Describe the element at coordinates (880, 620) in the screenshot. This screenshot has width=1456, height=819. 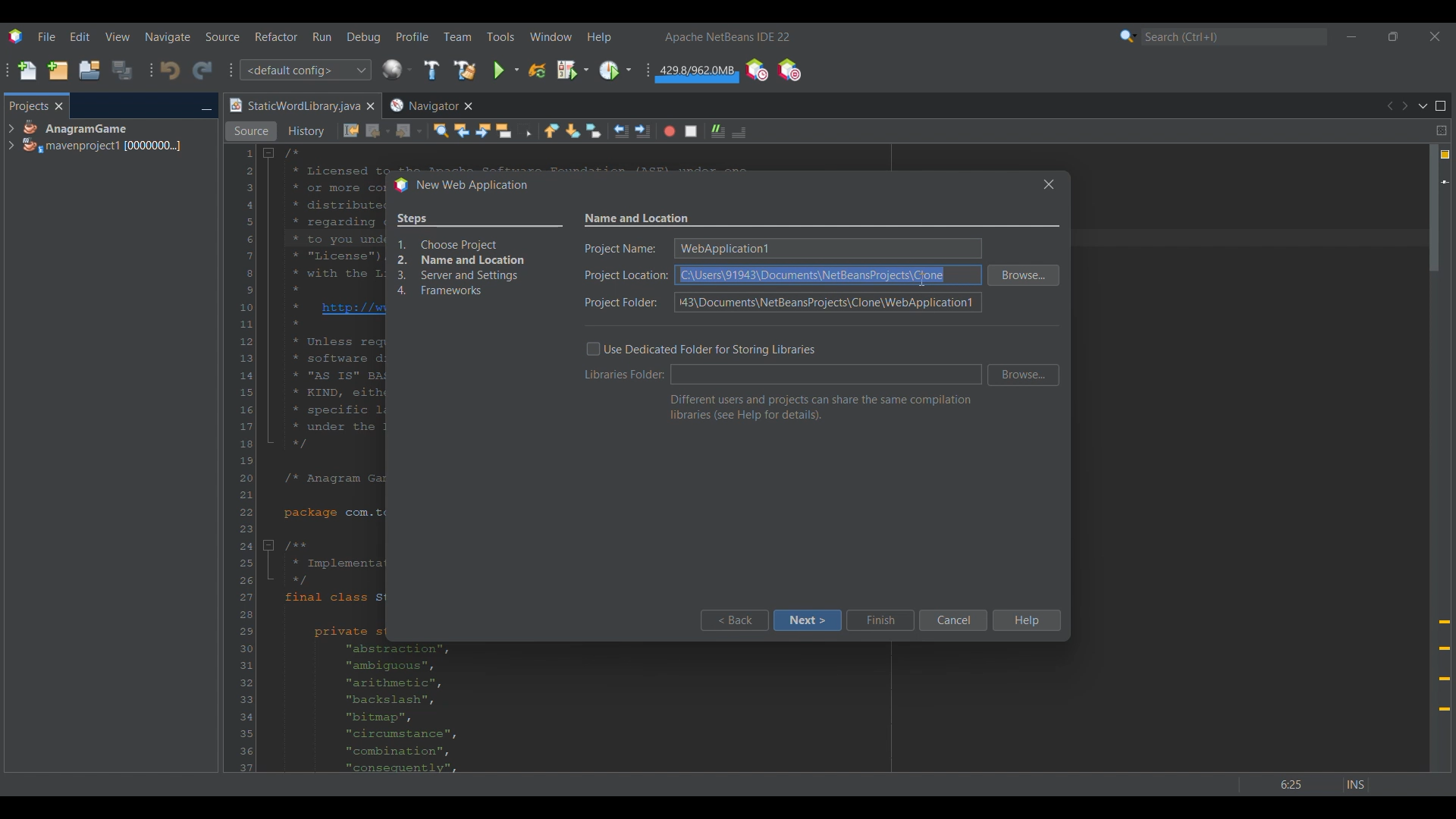
I see `Finish` at that location.